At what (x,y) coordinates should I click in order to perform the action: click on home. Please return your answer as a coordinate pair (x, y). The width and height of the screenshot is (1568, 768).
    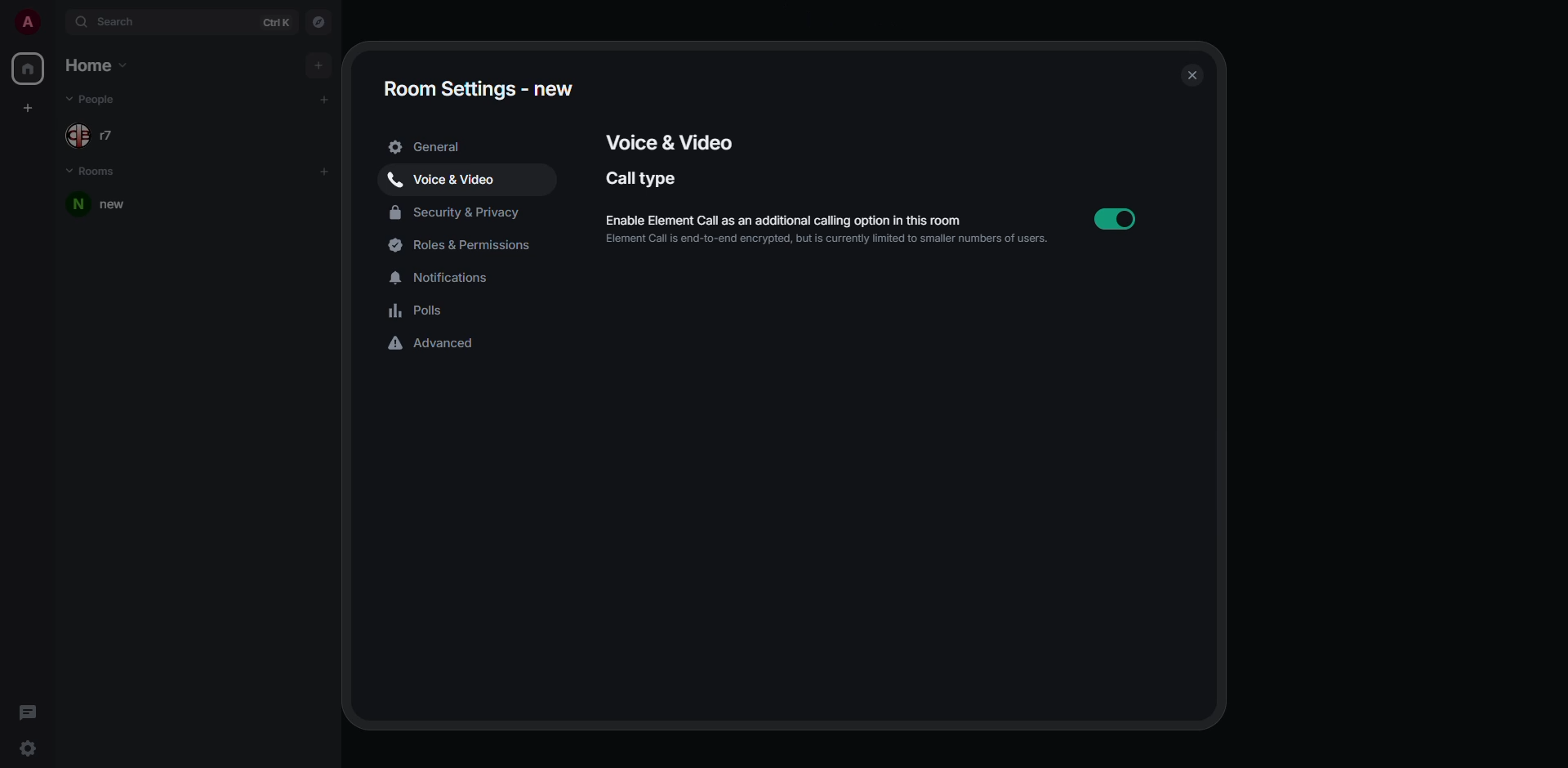
    Looking at the image, I should click on (26, 69).